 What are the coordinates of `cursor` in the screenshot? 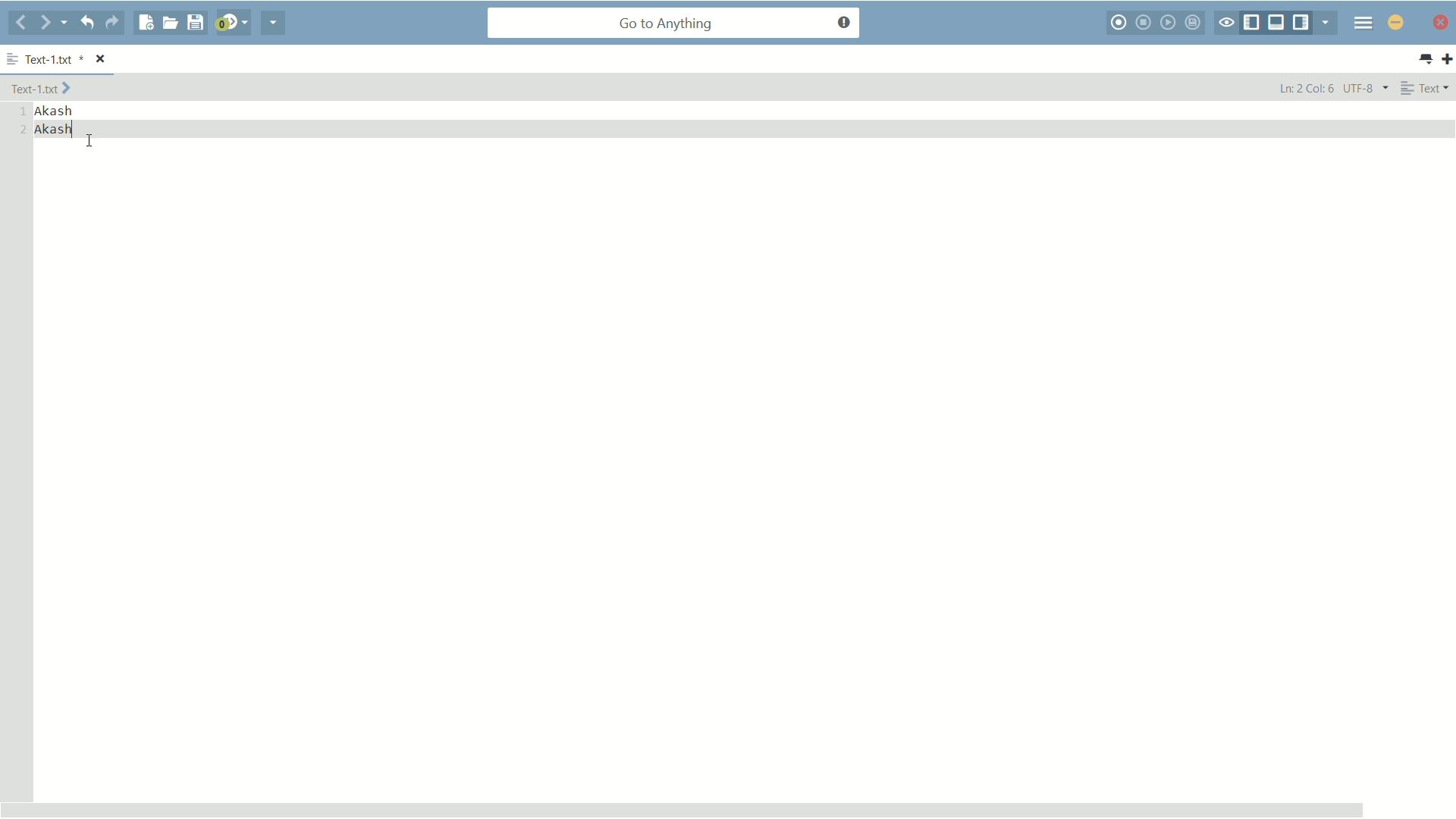 It's located at (89, 142).